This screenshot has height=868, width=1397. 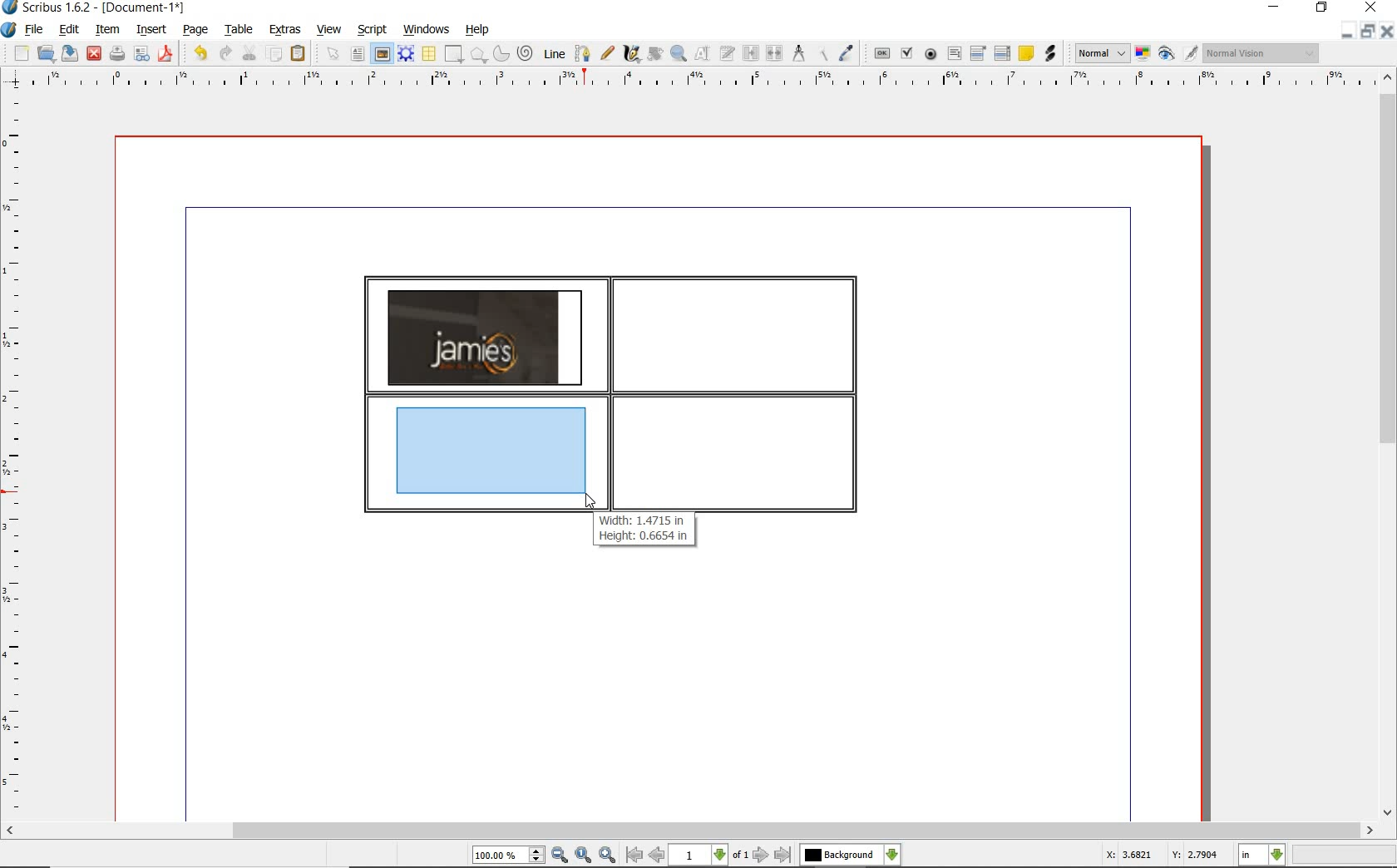 What do you see at coordinates (847, 53) in the screenshot?
I see `eye dropper` at bounding box center [847, 53].